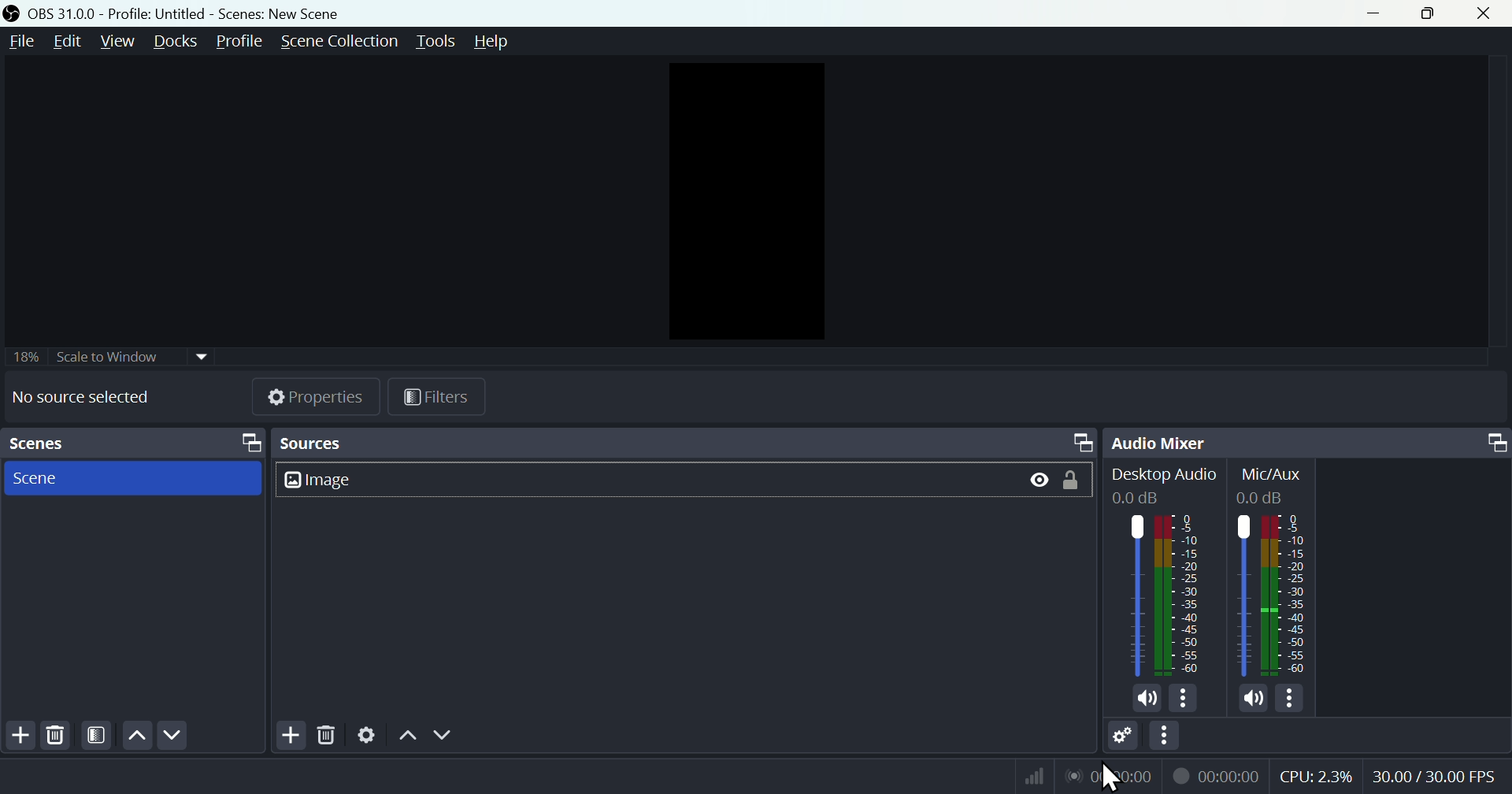 This screenshot has height=794, width=1512. Describe the element at coordinates (1292, 699) in the screenshot. I see `more options` at that location.